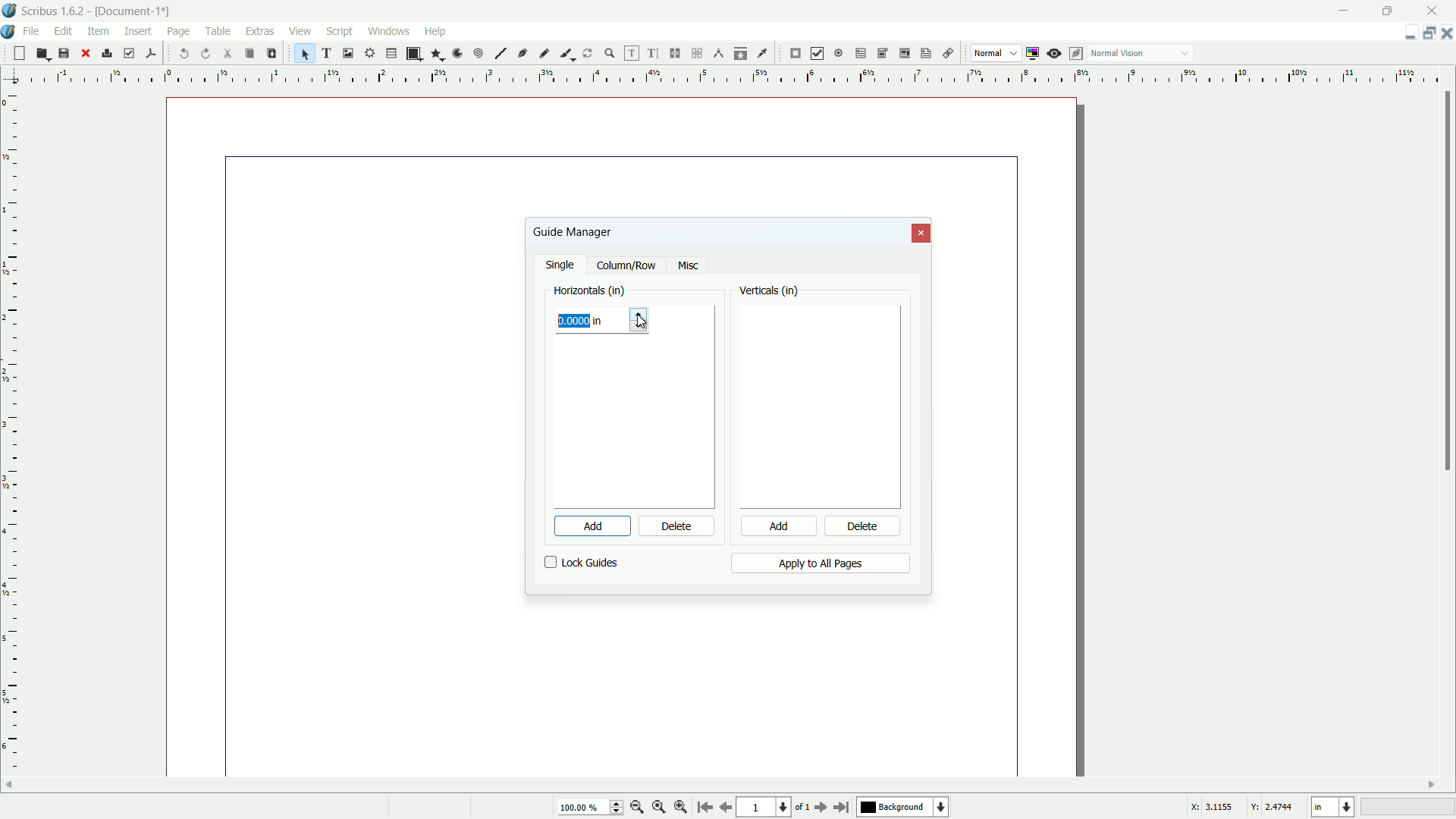 This screenshot has height=819, width=1456. I want to click on zoom in or out, so click(610, 52).